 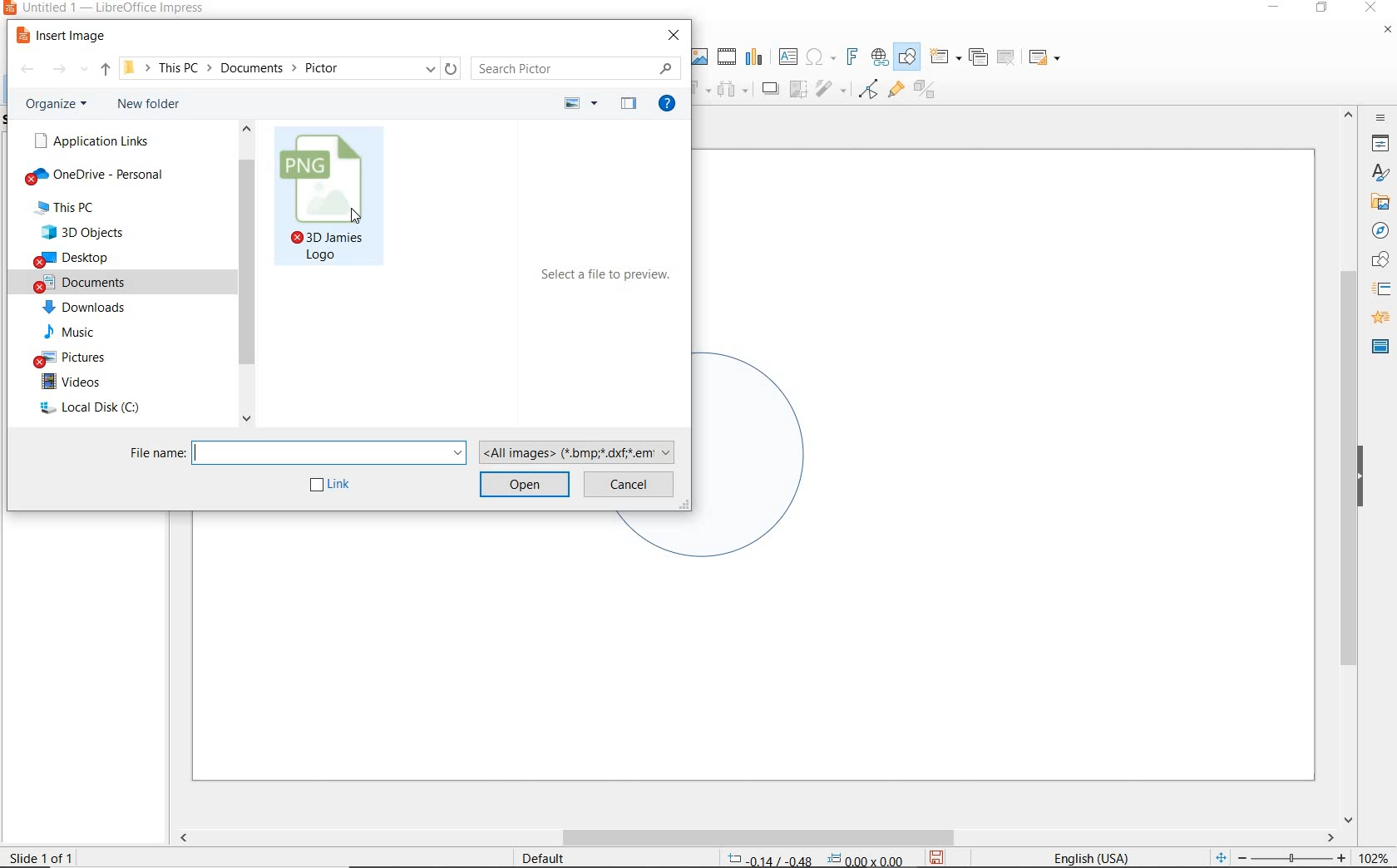 What do you see at coordinates (86, 382) in the screenshot?
I see `videos` at bounding box center [86, 382].